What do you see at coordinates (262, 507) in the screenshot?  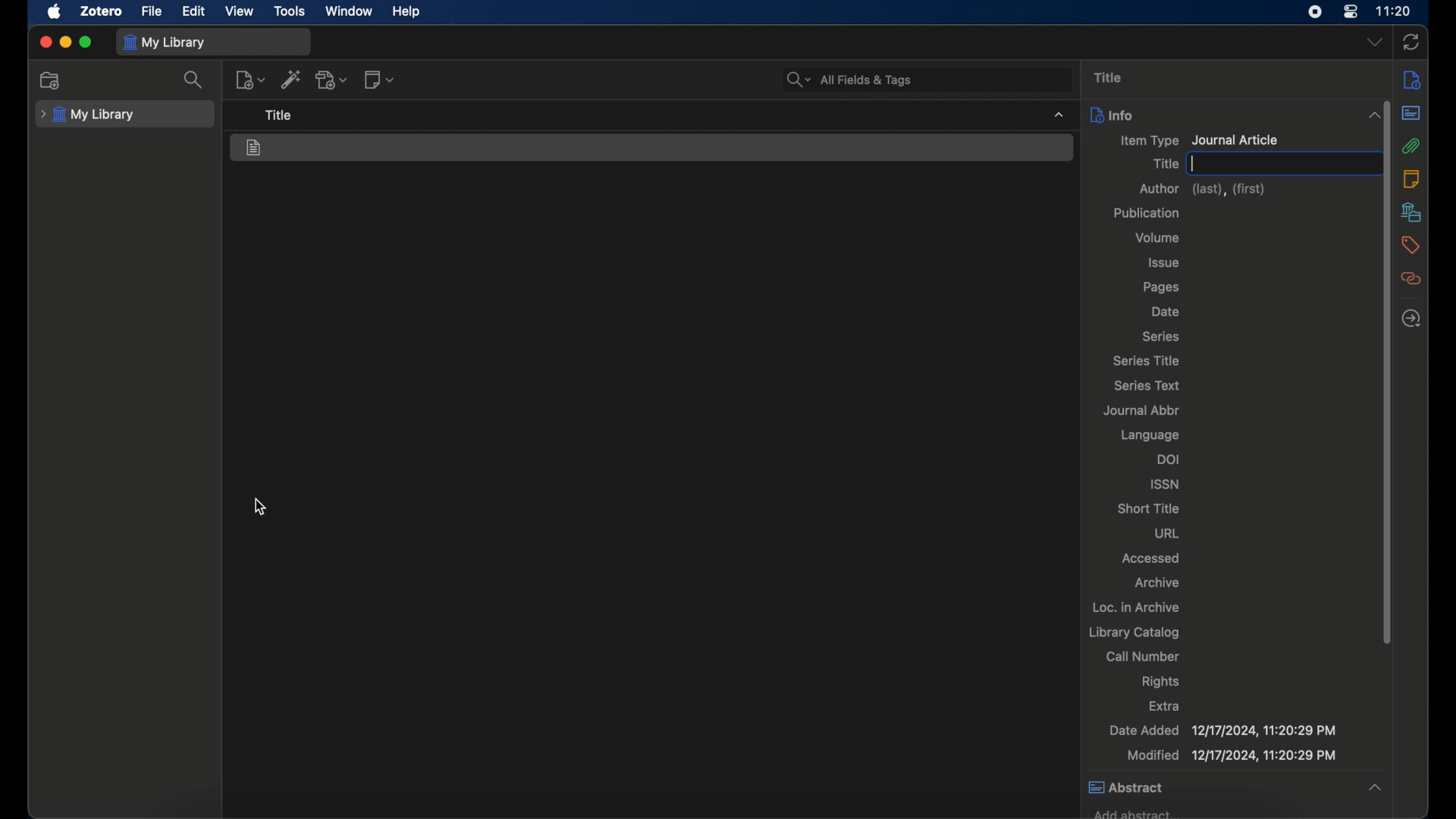 I see `cursor` at bounding box center [262, 507].